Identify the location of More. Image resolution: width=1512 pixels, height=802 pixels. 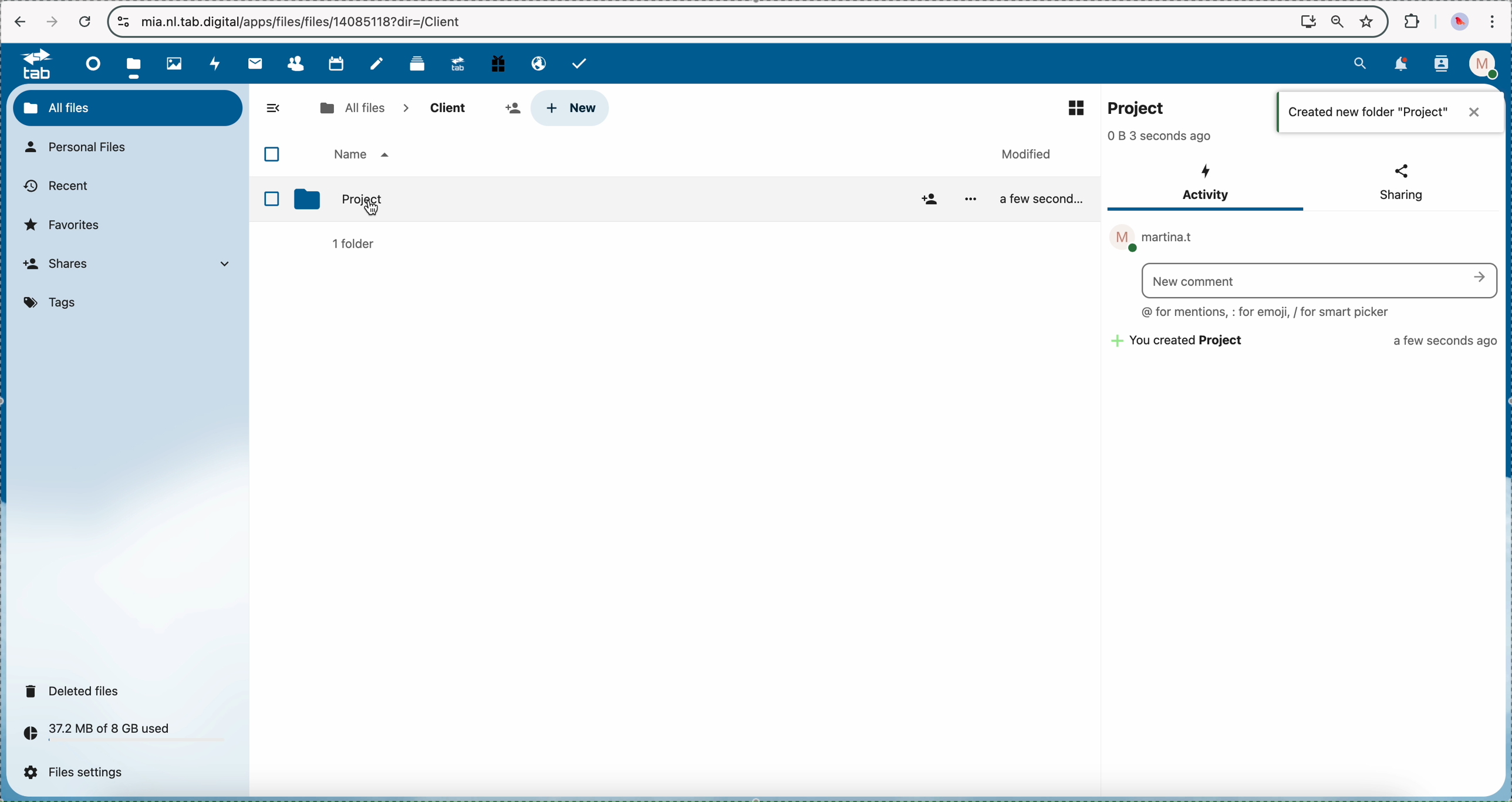
(972, 197).